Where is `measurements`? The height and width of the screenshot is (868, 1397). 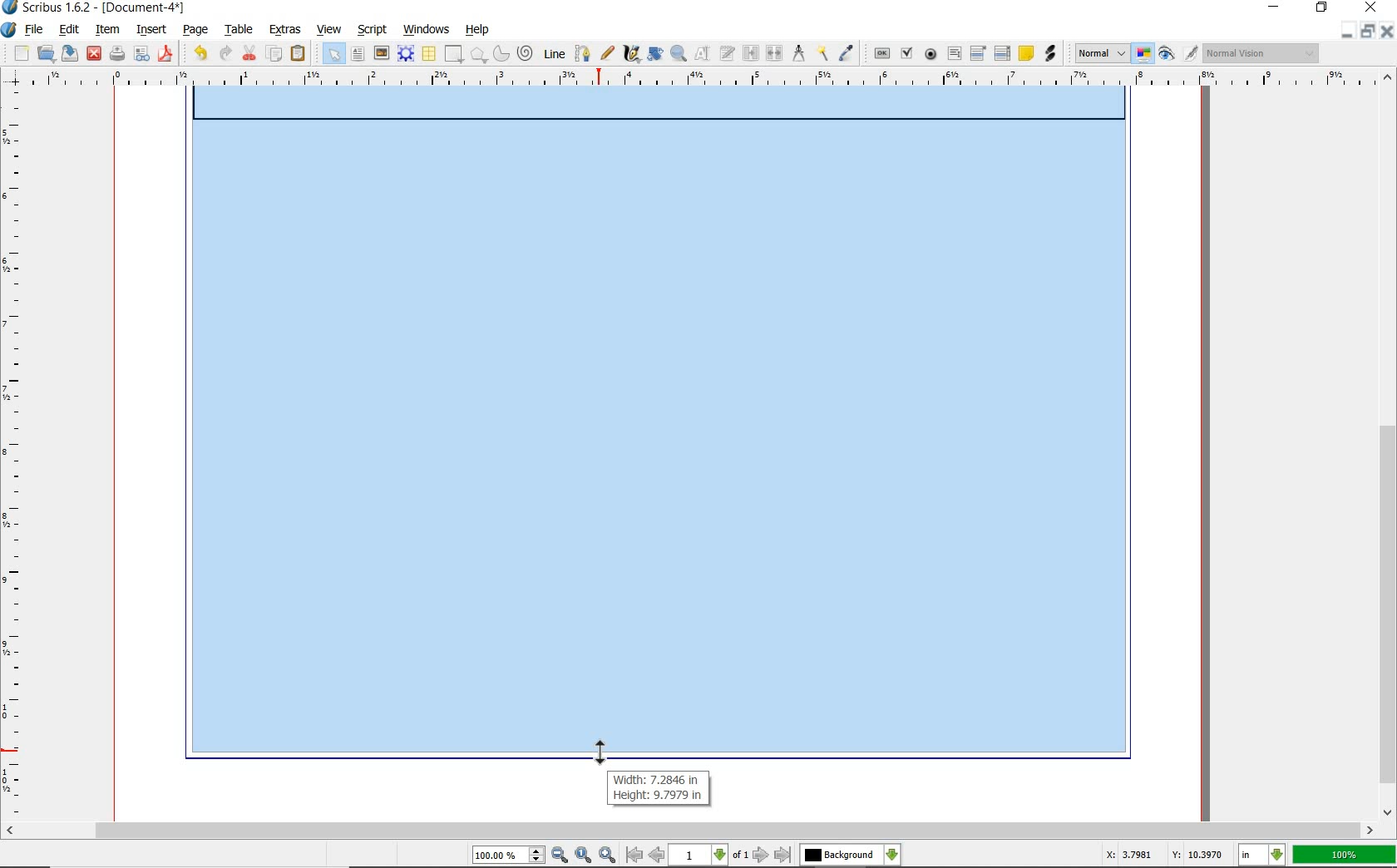
measurements is located at coordinates (798, 54).